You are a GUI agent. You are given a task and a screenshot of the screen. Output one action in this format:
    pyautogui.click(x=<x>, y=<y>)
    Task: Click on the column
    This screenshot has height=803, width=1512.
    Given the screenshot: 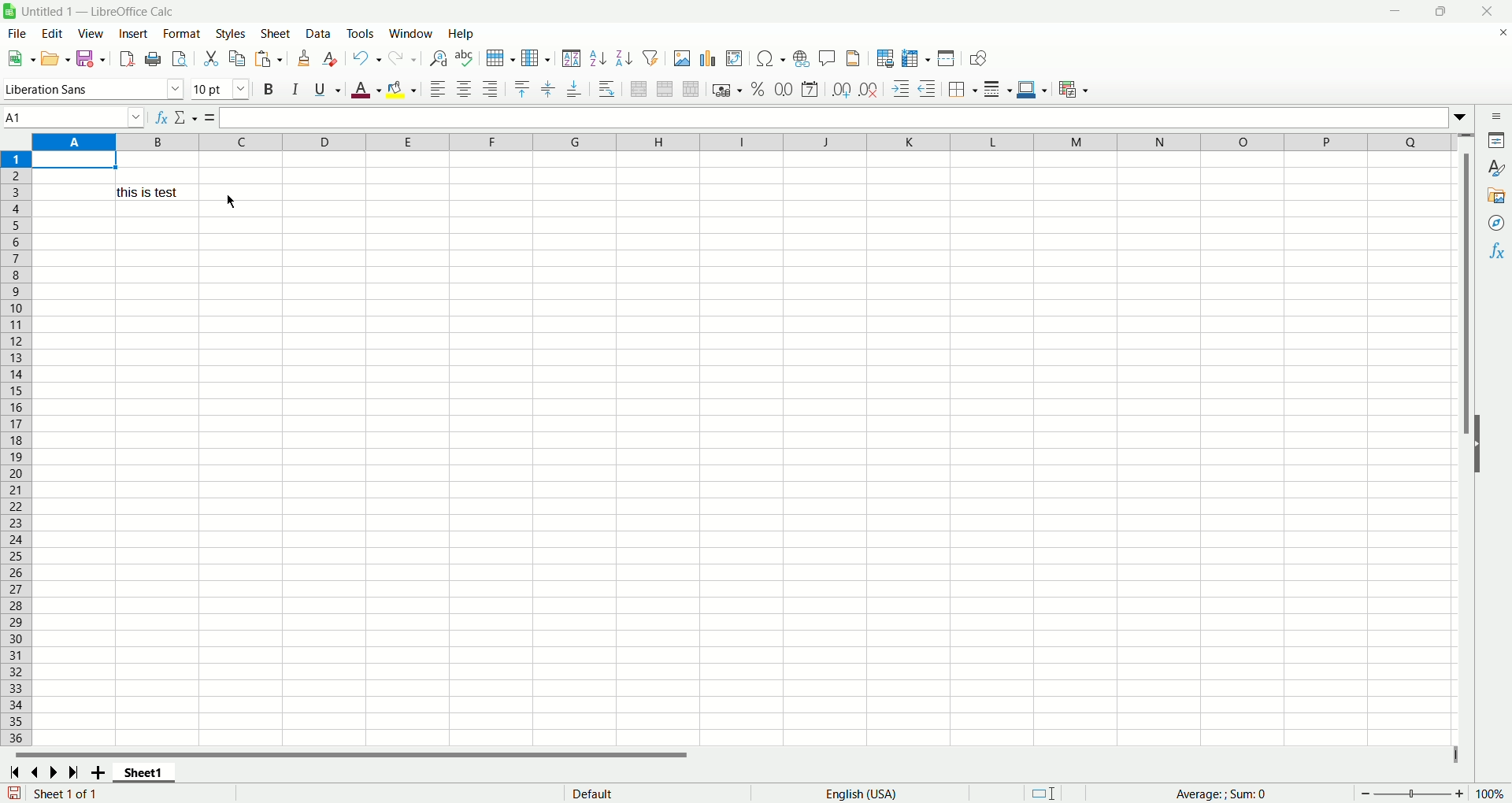 What is the action you would take?
    pyautogui.click(x=535, y=57)
    